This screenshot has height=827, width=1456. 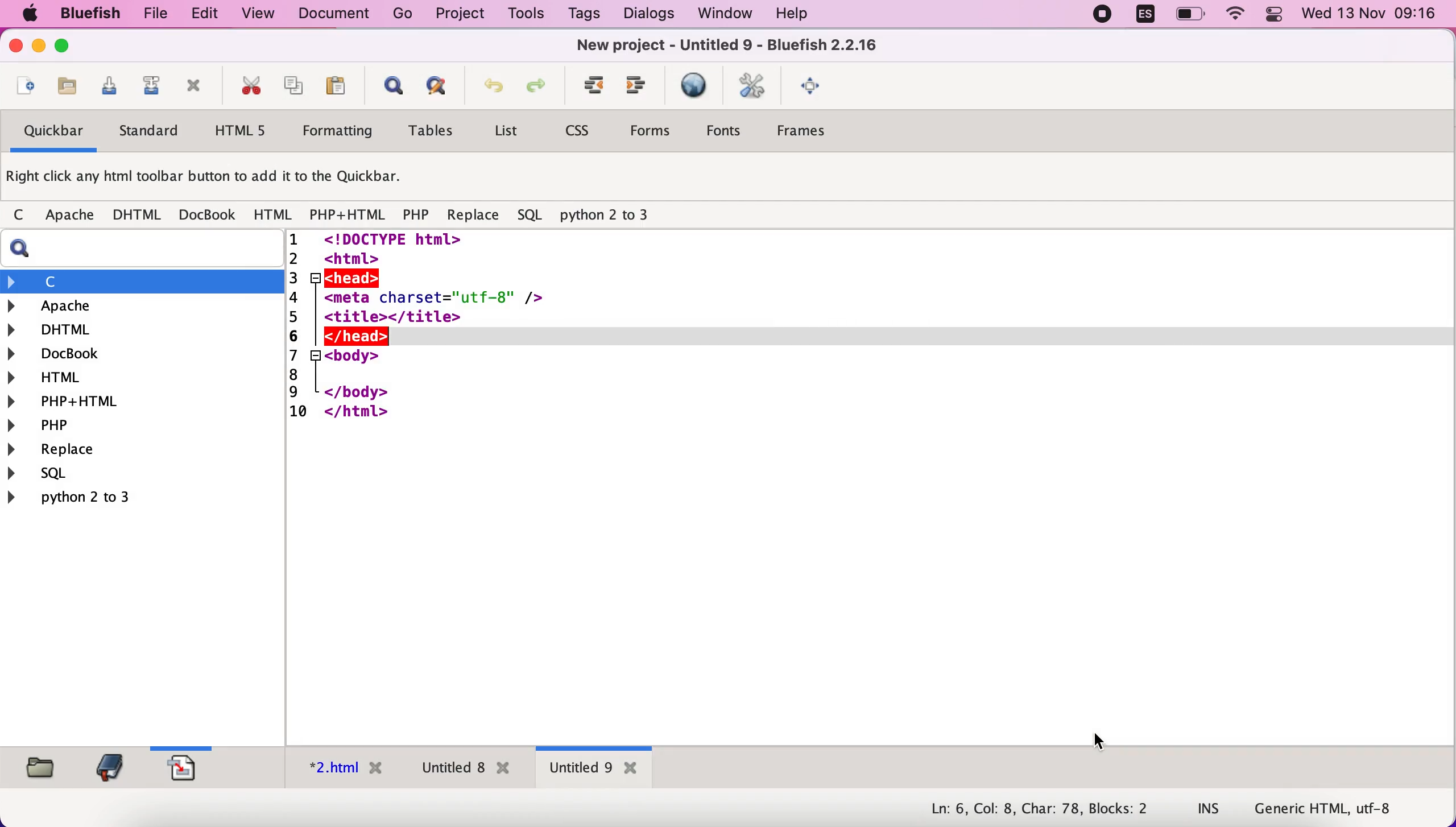 I want to click on edit preferences, so click(x=754, y=88).